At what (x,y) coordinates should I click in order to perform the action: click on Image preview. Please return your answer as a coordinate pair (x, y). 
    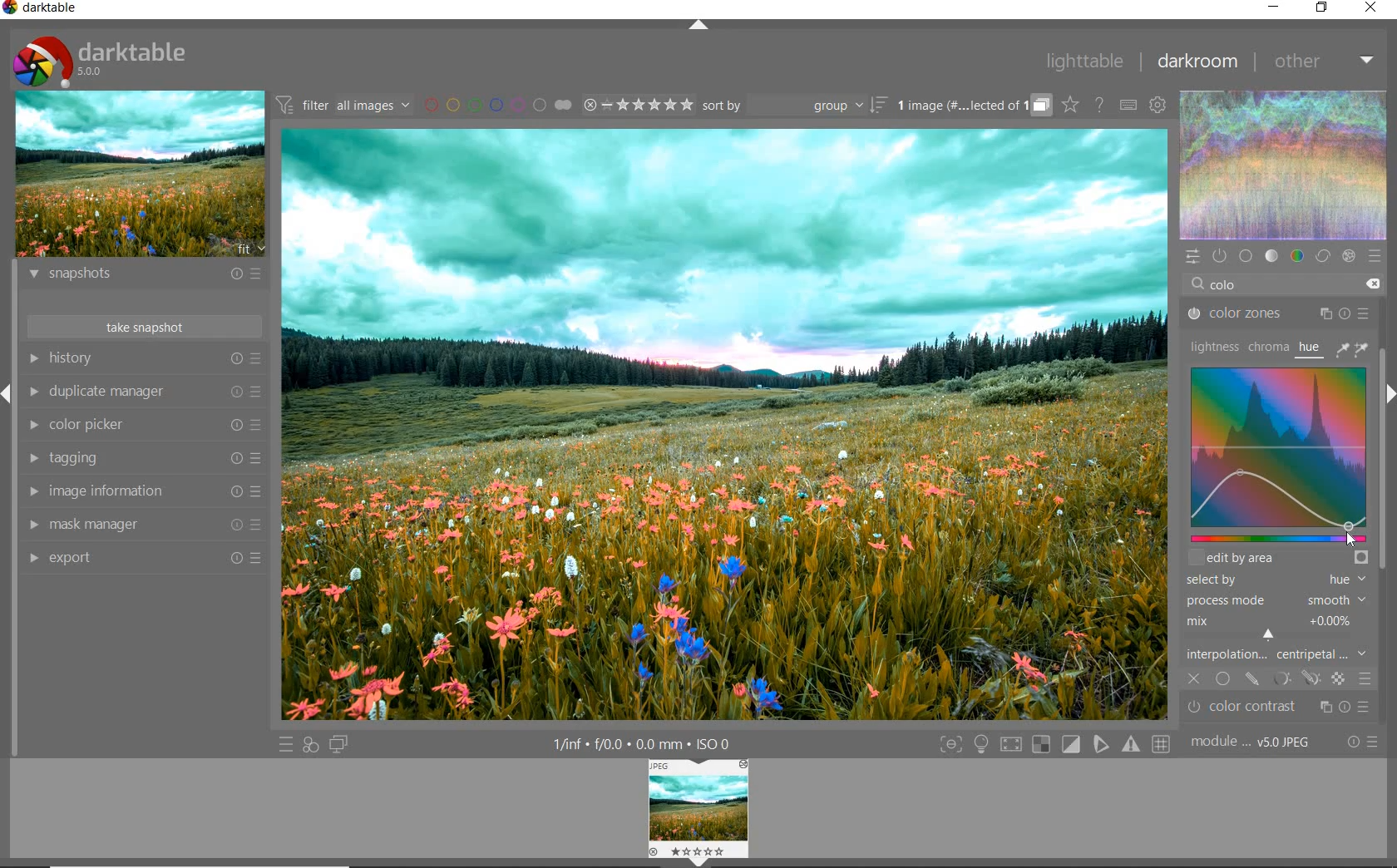
    Looking at the image, I should click on (699, 811).